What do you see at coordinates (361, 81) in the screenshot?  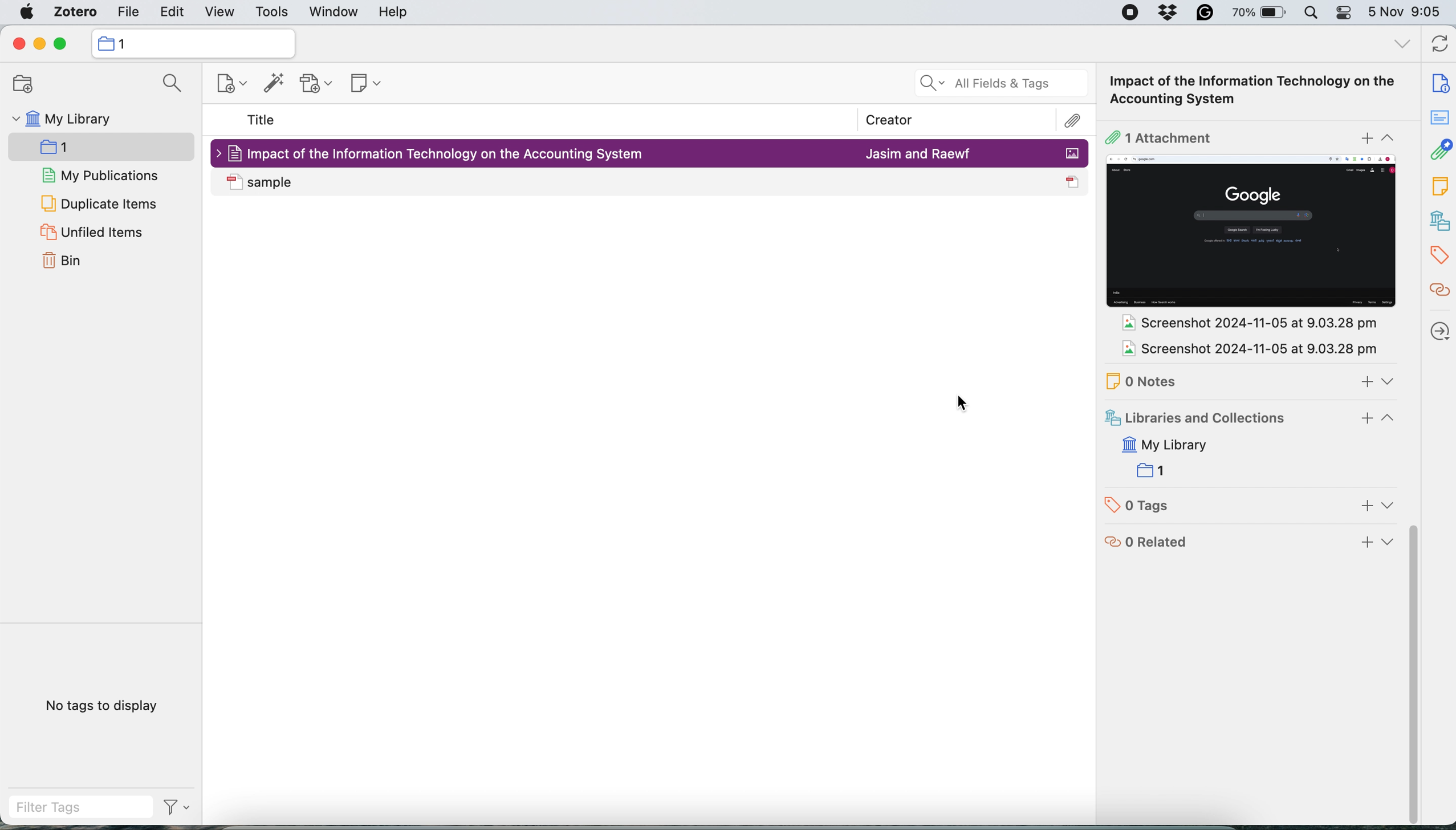 I see `new note` at bounding box center [361, 81].